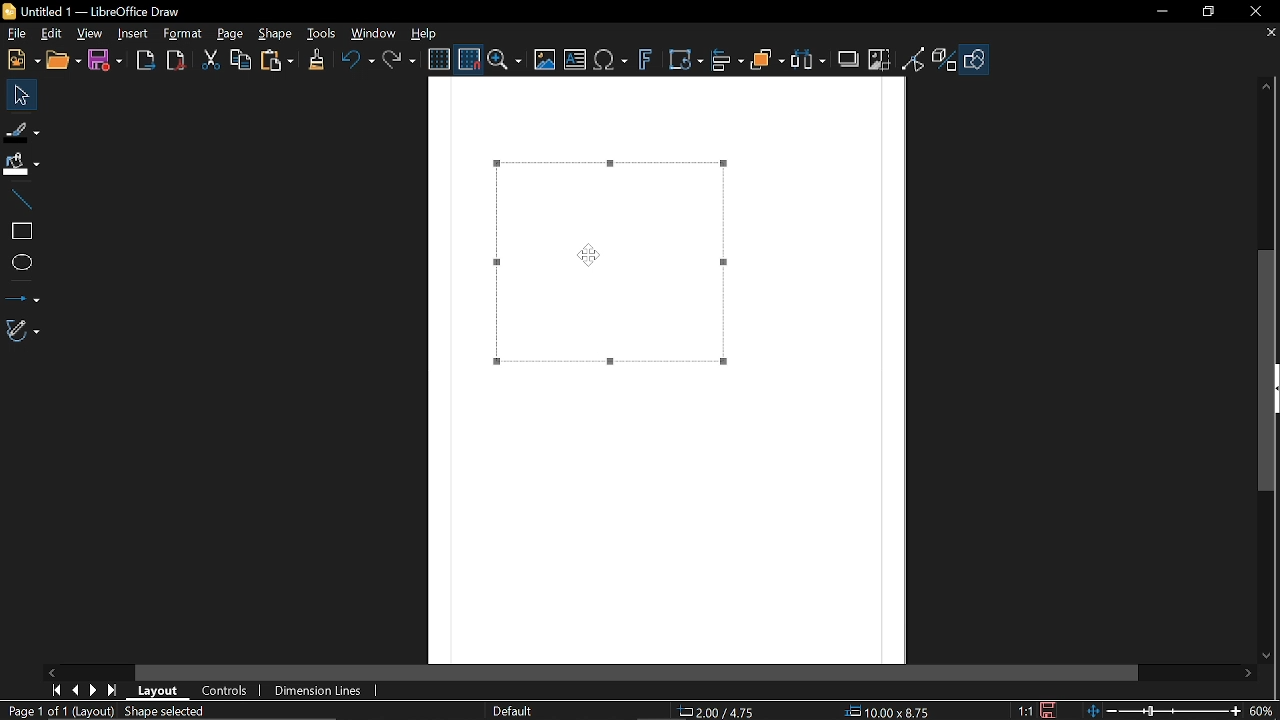 The width and height of the screenshot is (1280, 720). What do you see at coordinates (608, 263) in the screenshot?
I see `Diagram` at bounding box center [608, 263].